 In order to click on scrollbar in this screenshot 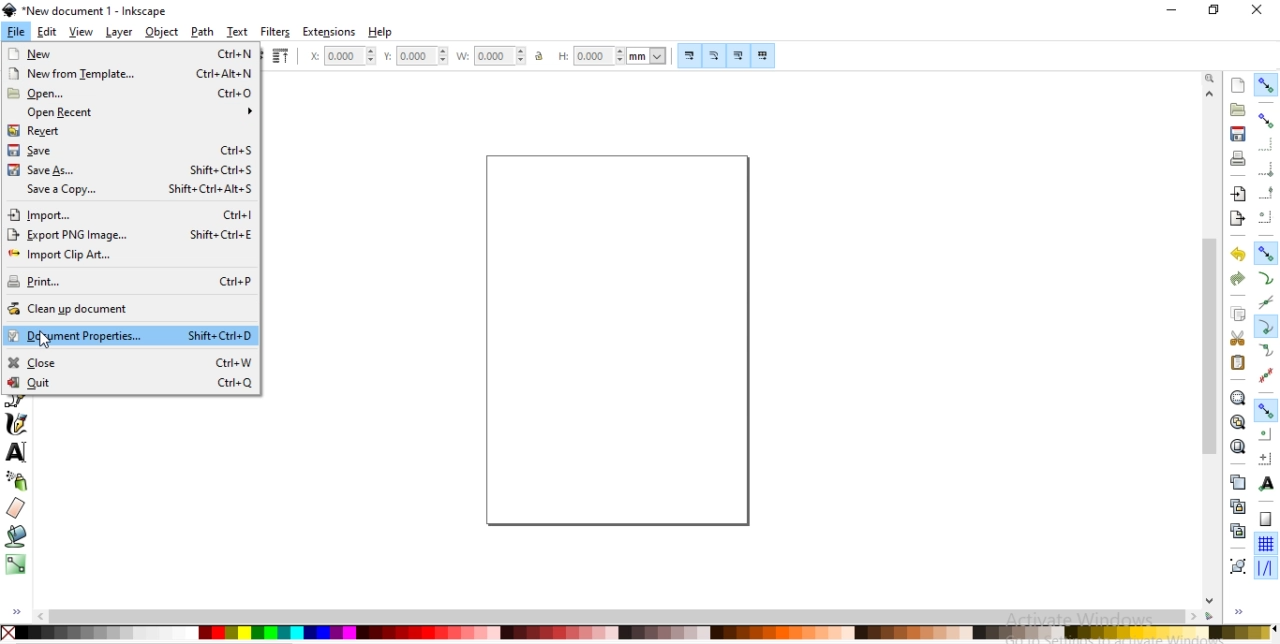, I will do `click(626, 616)`.